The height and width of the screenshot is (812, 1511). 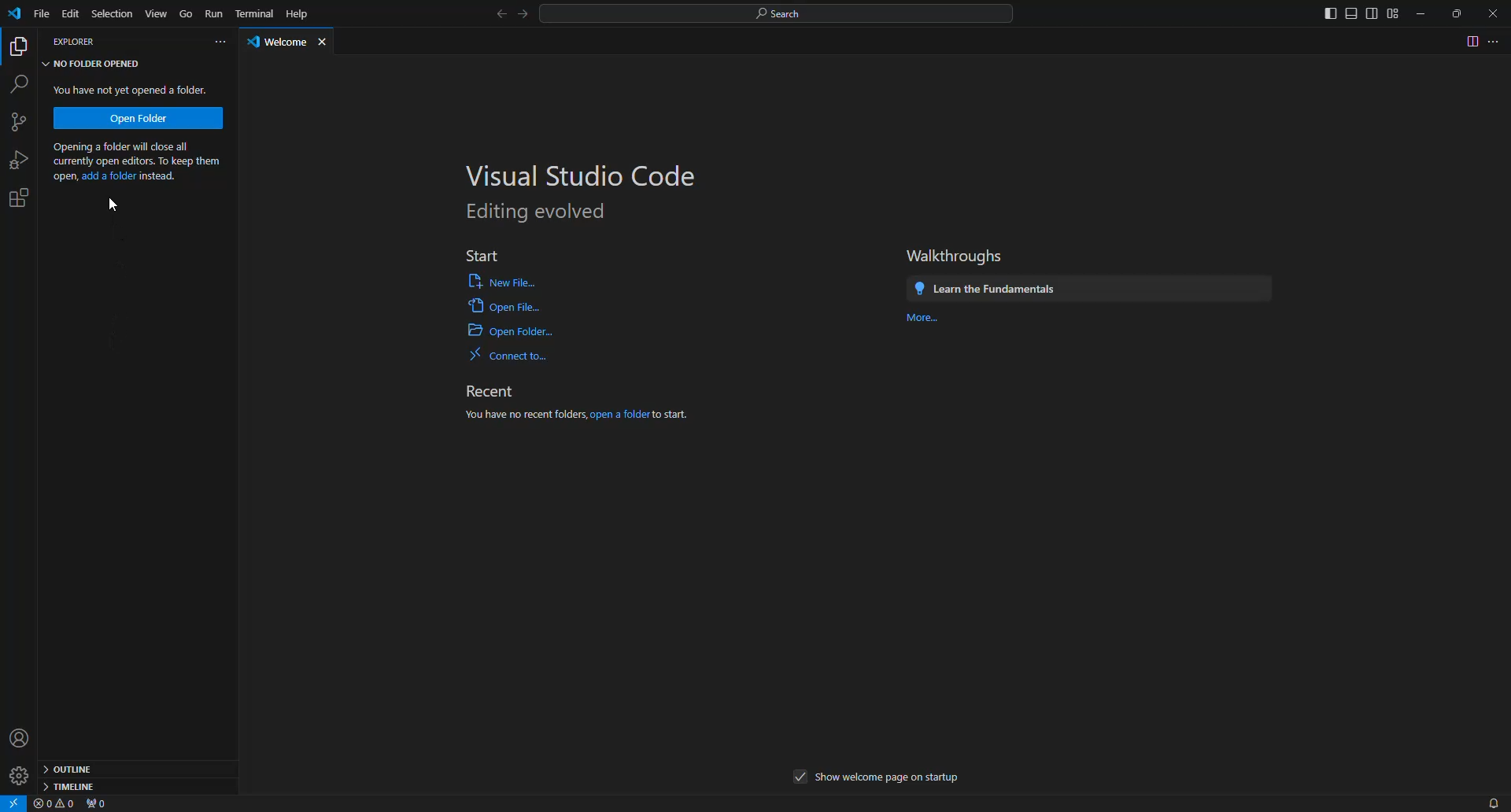 What do you see at coordinates (1457, 14) in the screenshot?
I see `maximize` at bounding box center [1457, 14].